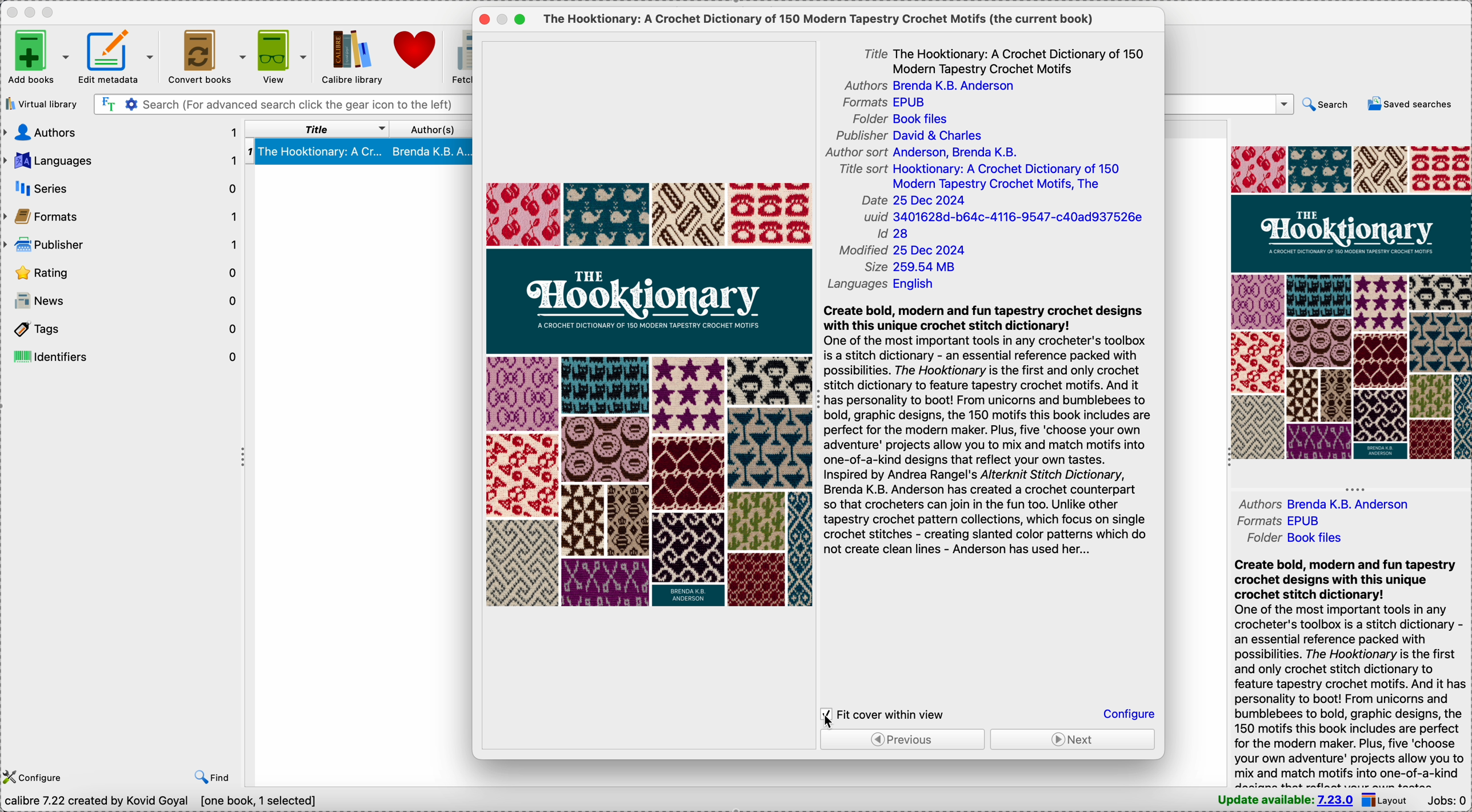  I want to click on minimize, so click(503, 19).